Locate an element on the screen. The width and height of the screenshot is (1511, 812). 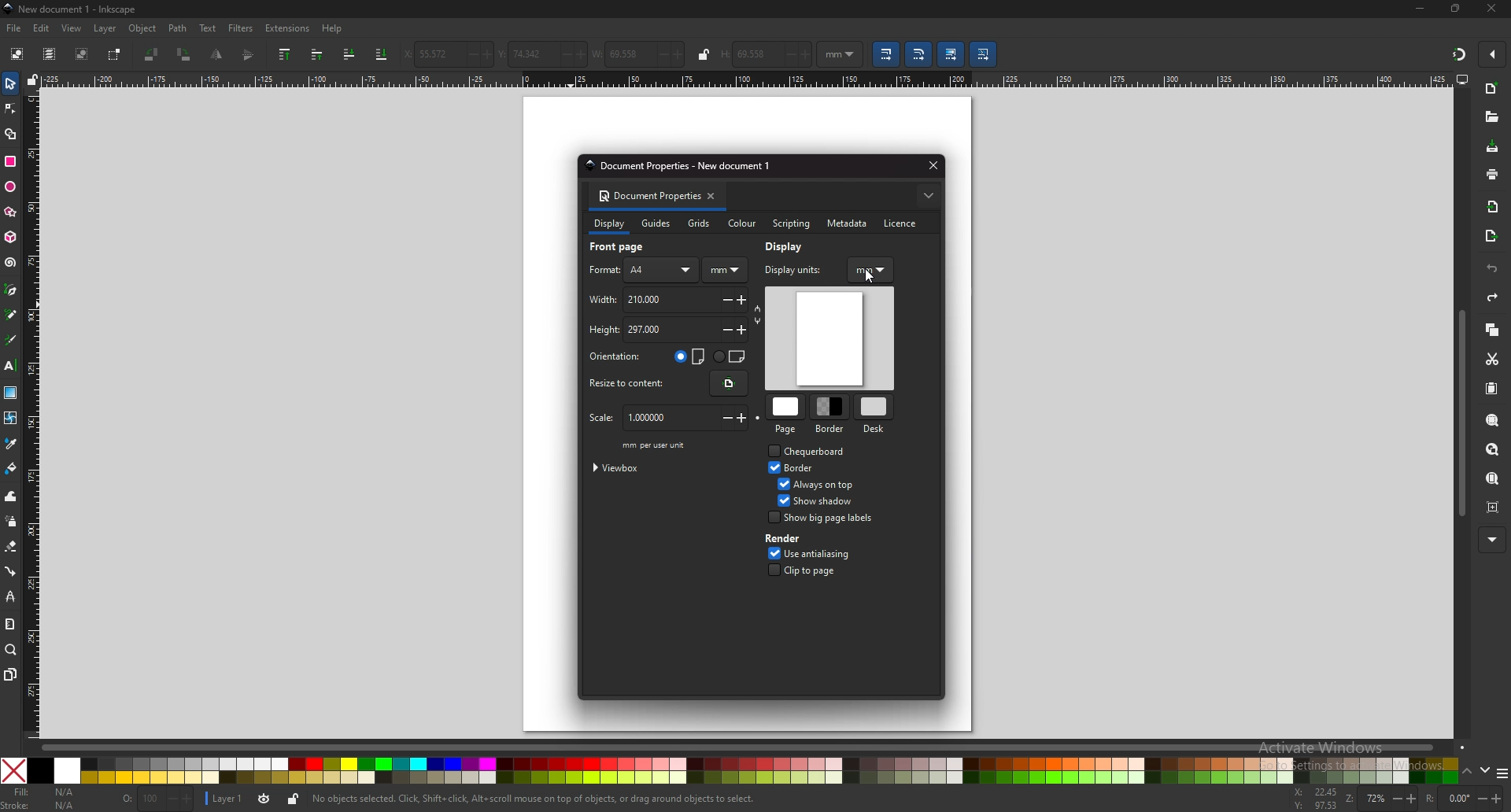
display options is located at coordinates (1462, 79).